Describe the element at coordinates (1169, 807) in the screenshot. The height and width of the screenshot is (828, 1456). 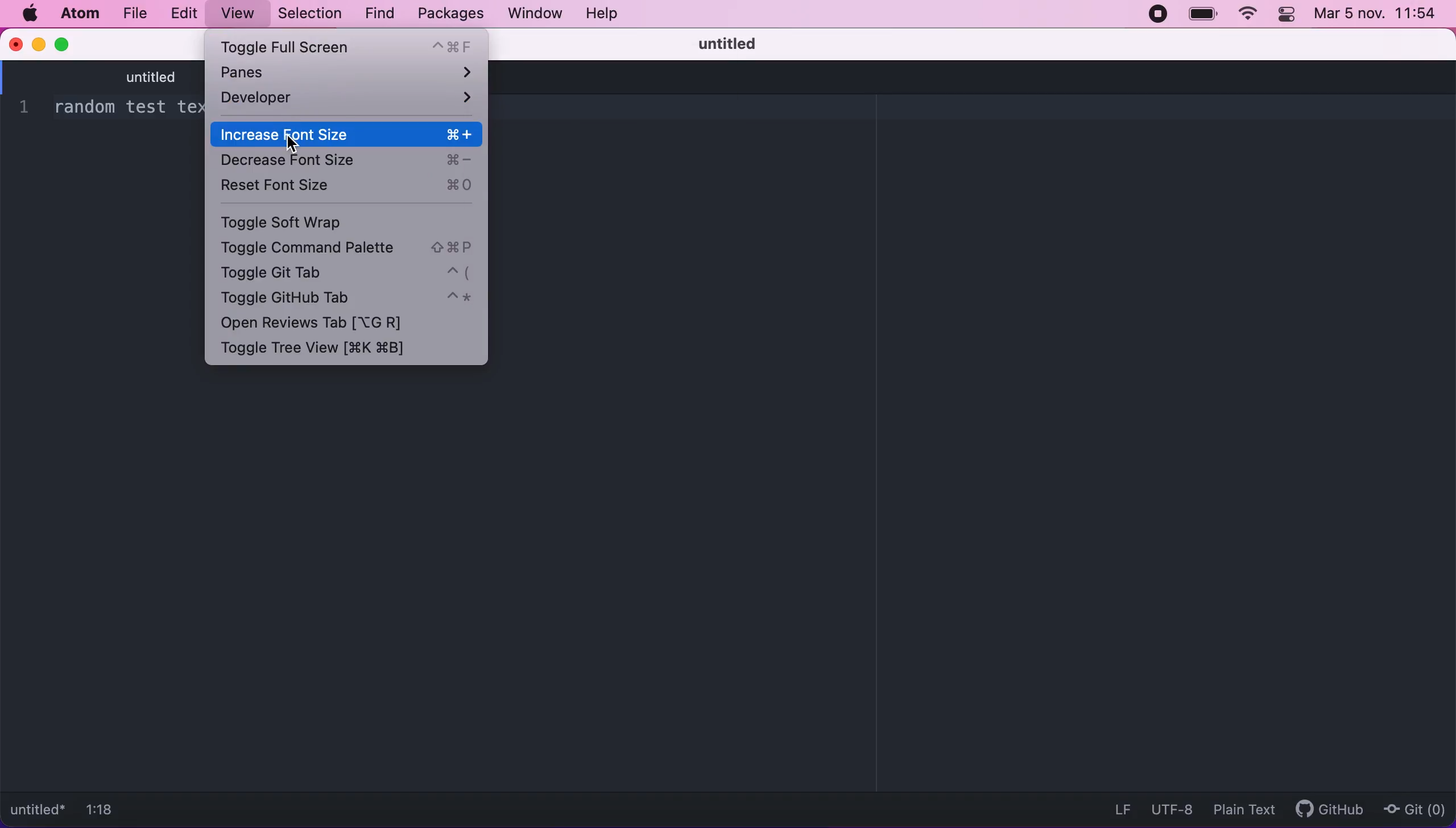
I see `UTF-8` at that location.